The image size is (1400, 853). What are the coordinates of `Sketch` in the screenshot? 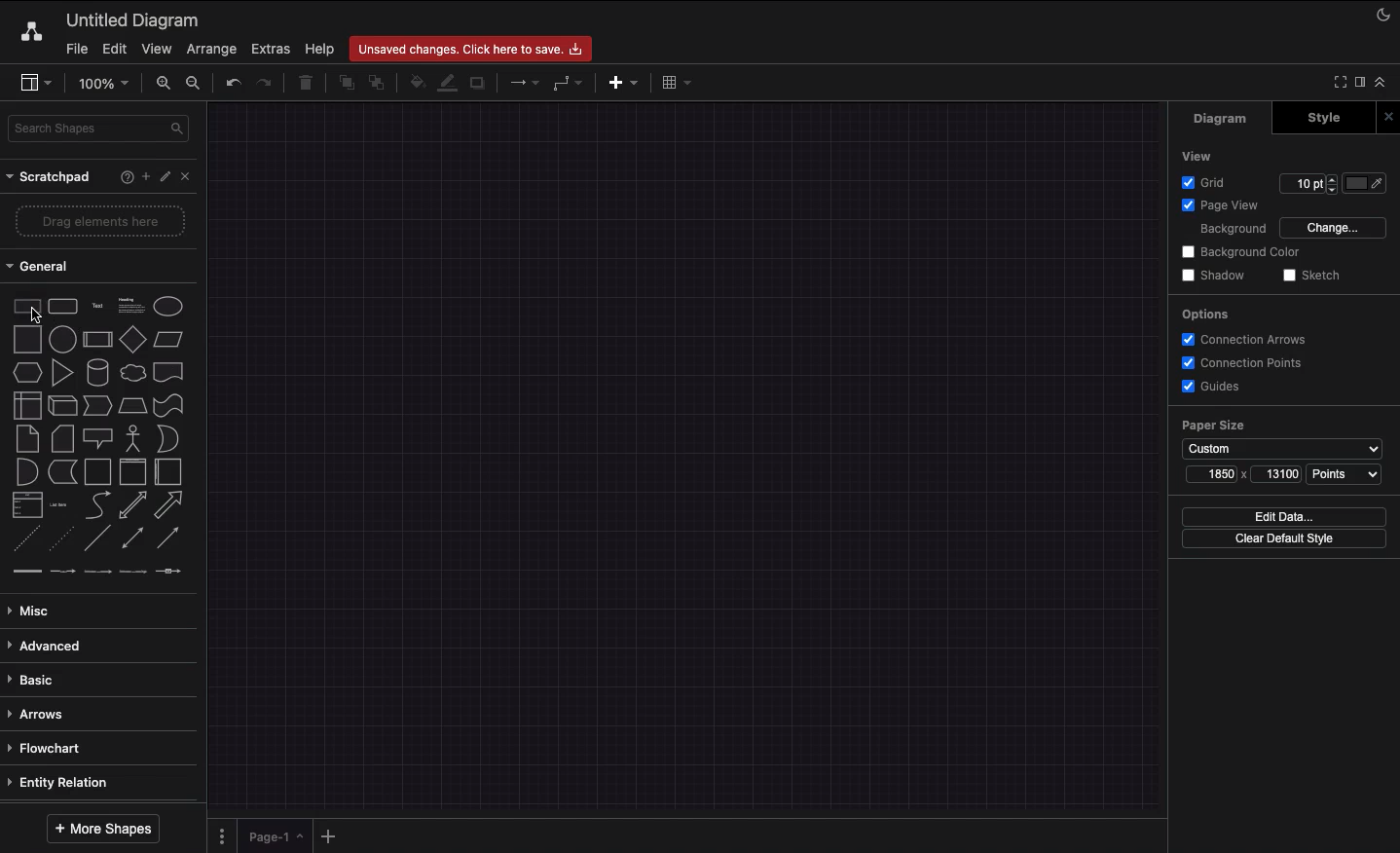 It's located at (1313, 278).